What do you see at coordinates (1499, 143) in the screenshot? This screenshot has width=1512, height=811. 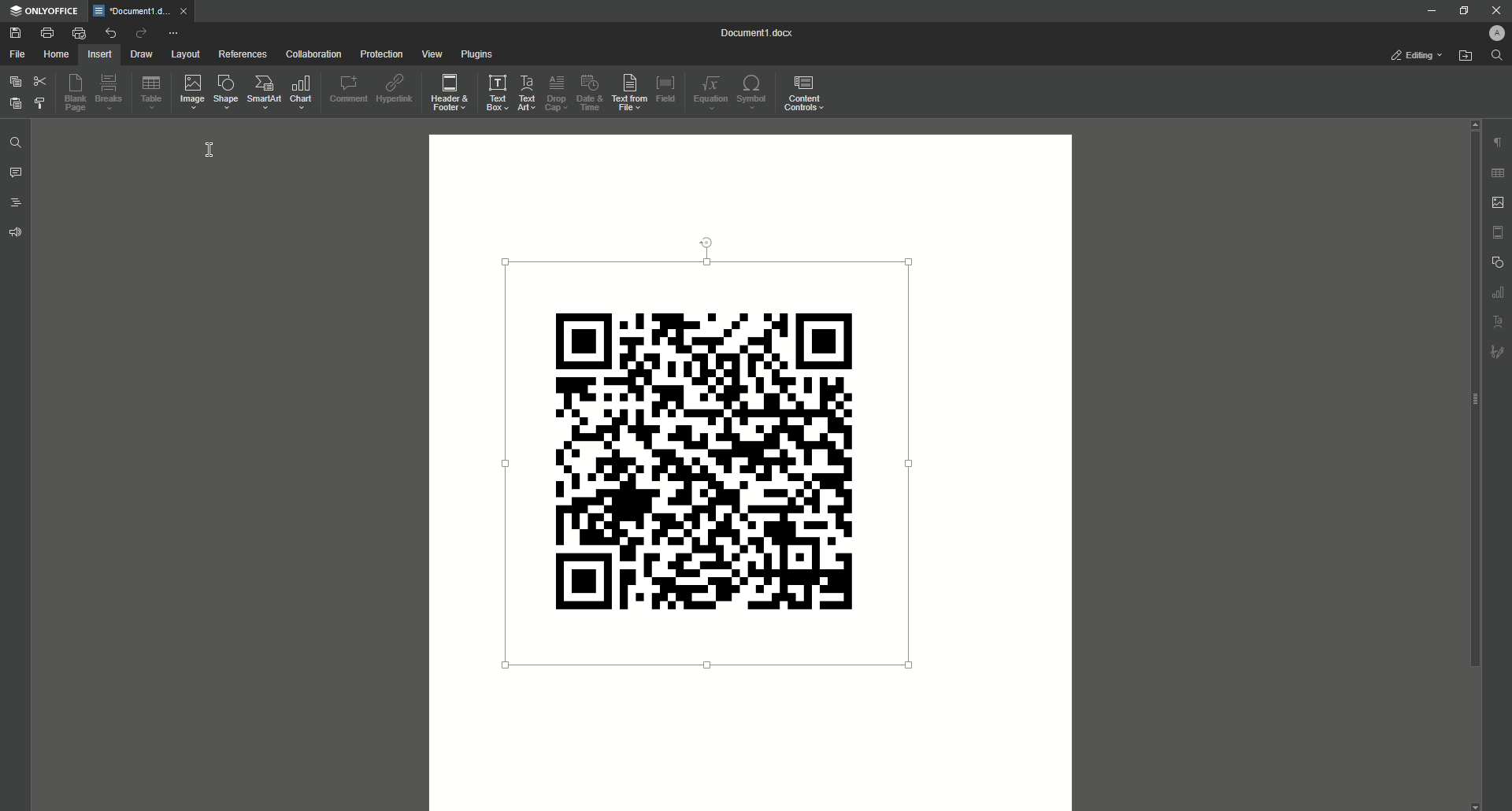 I see `Paragraph Settings` at bounding box center [1499, 143].